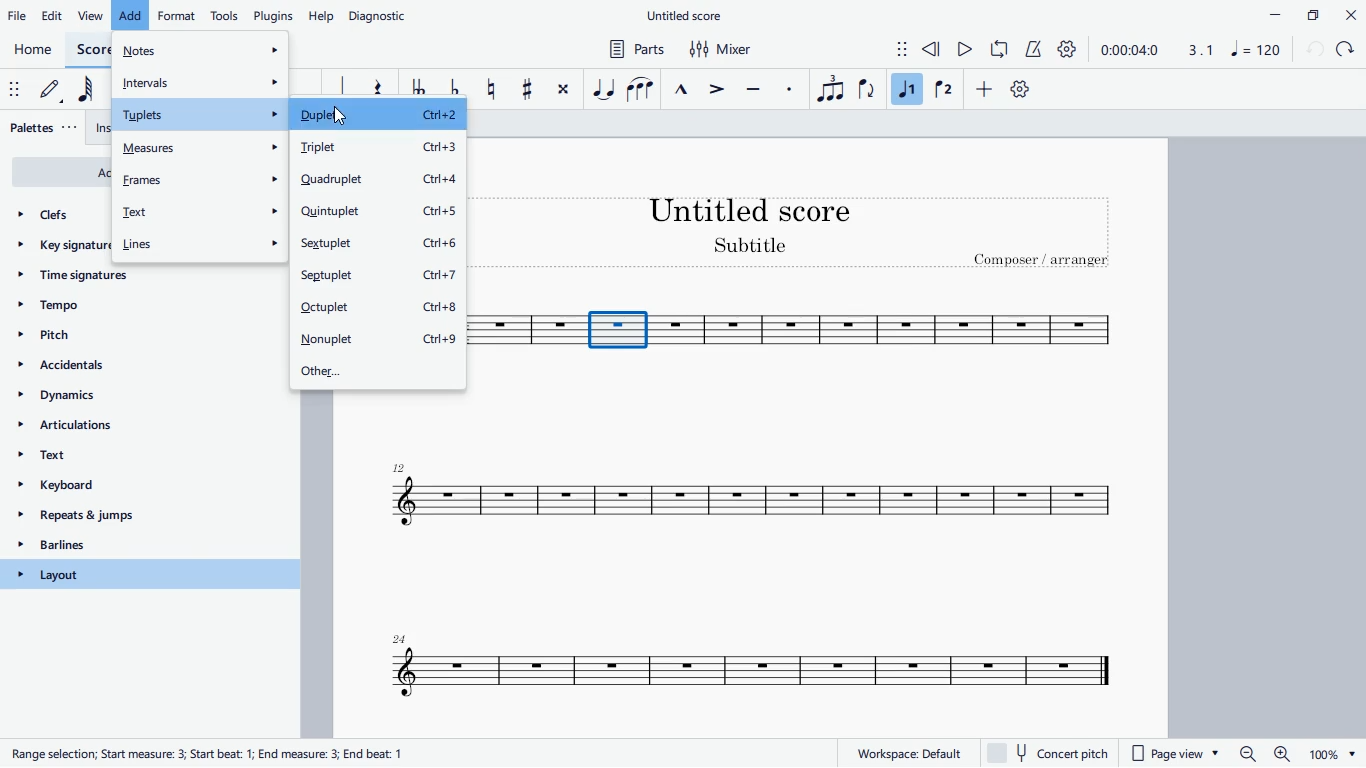 The image size is (1366, 768). What do you see at coordinates (1054, 753) in the screenshot?
I see `concert pitch` at bounding box center [1054, 753].